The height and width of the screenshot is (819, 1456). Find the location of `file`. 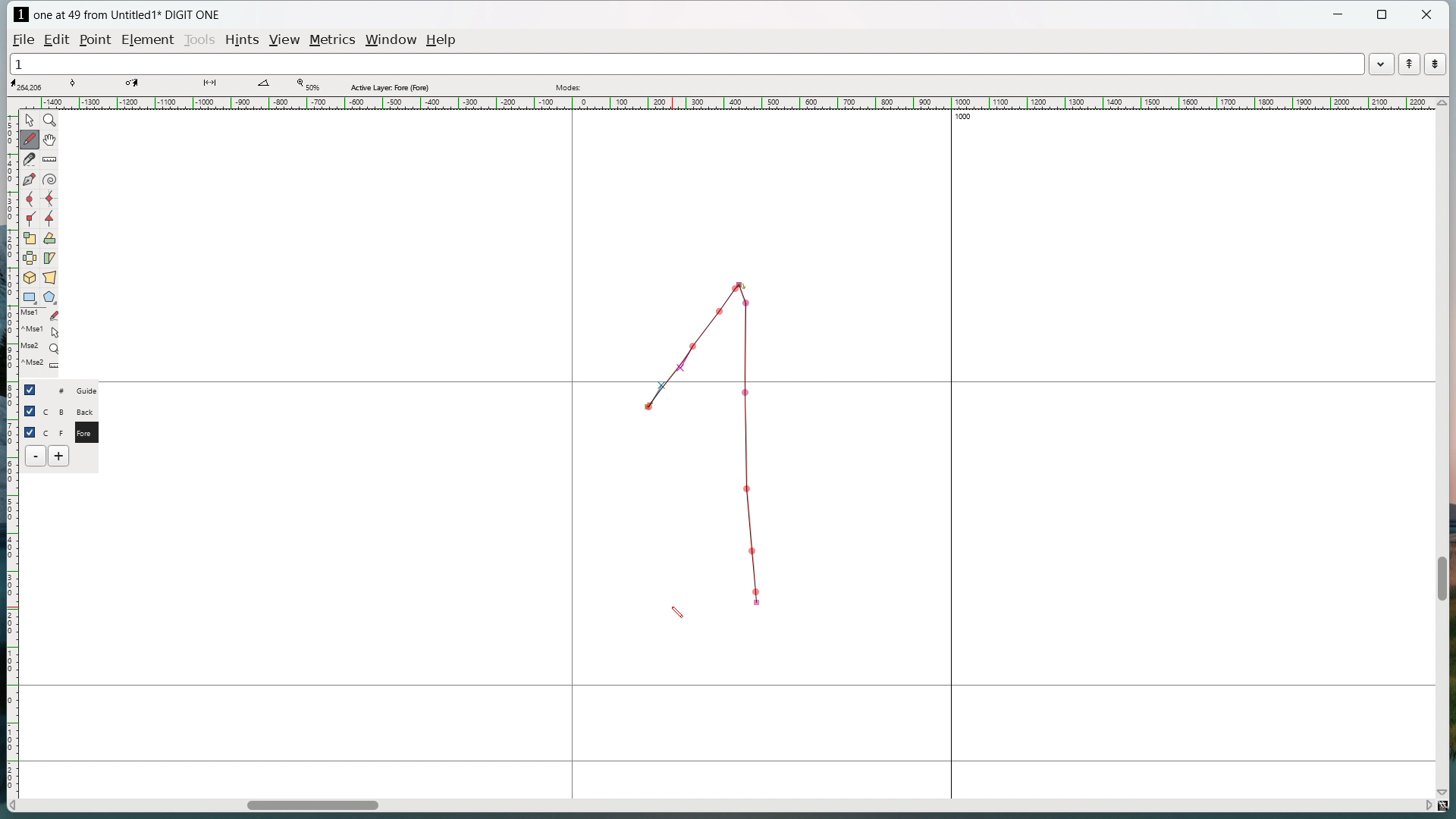

file is located at coordinates (24, 39).